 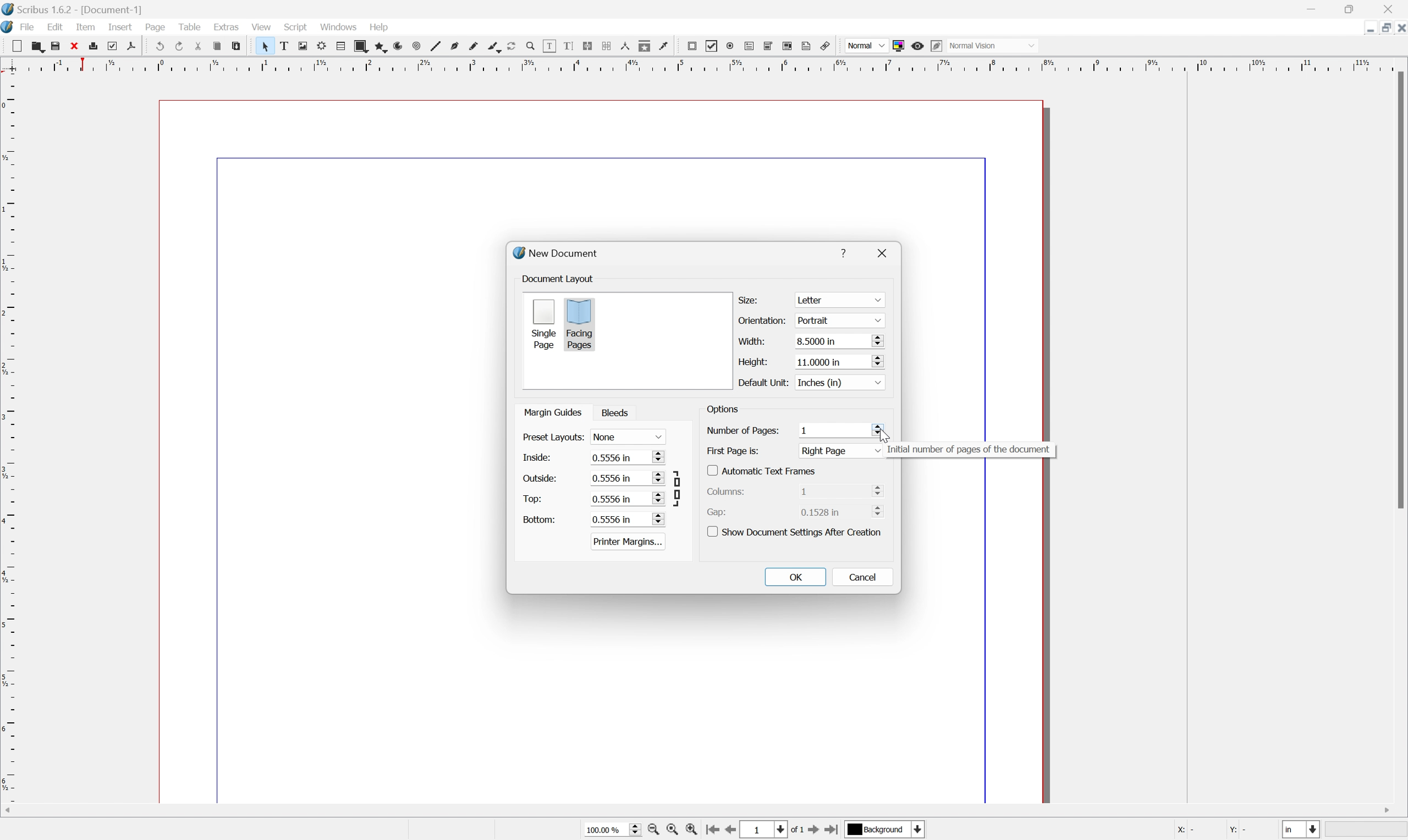 I want to click on pdf list box, so click(x=788, y=46).